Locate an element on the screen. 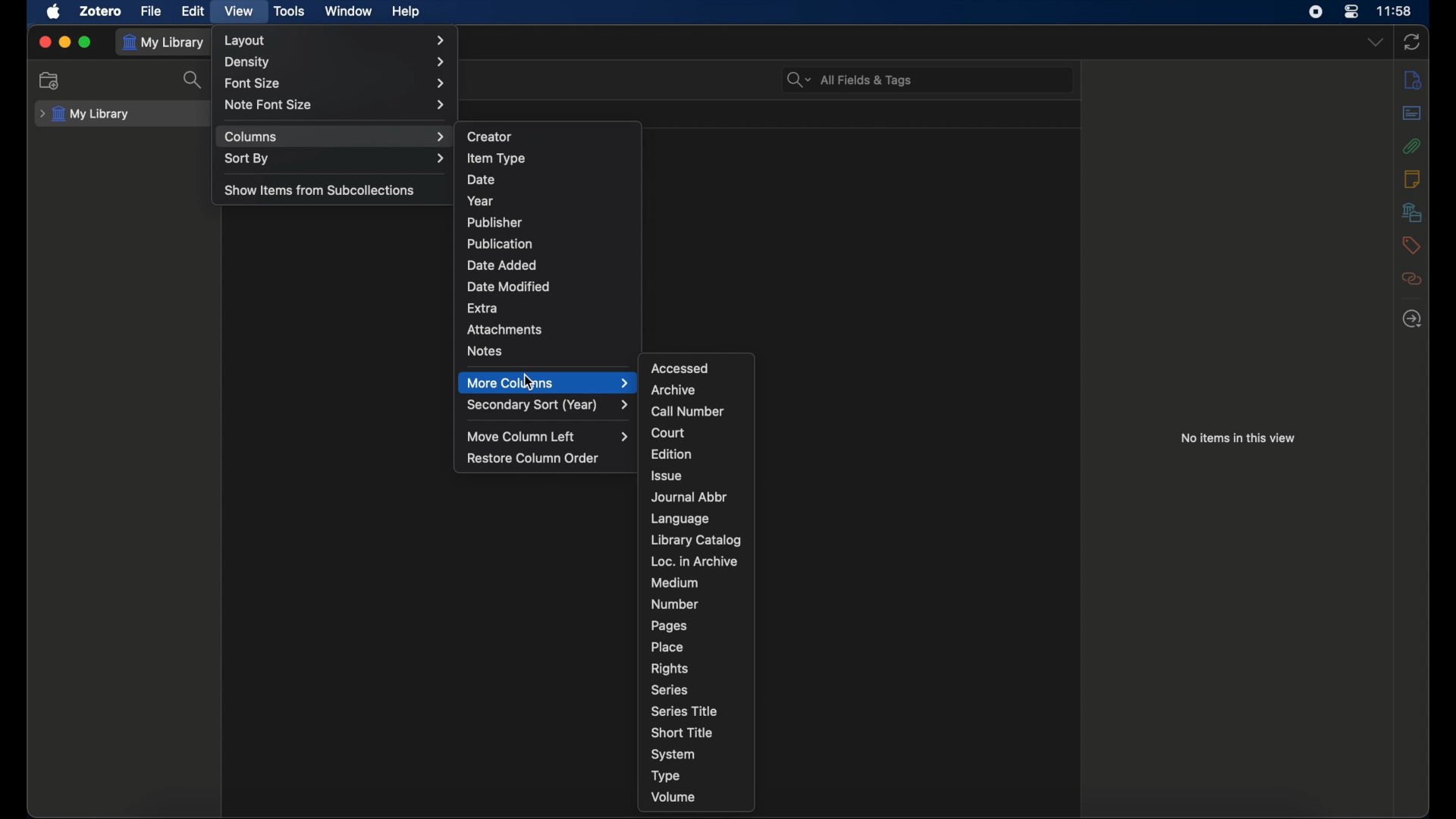 The height and width of the screenshot is (819, 1456). court is located at coordinates (668, 431).